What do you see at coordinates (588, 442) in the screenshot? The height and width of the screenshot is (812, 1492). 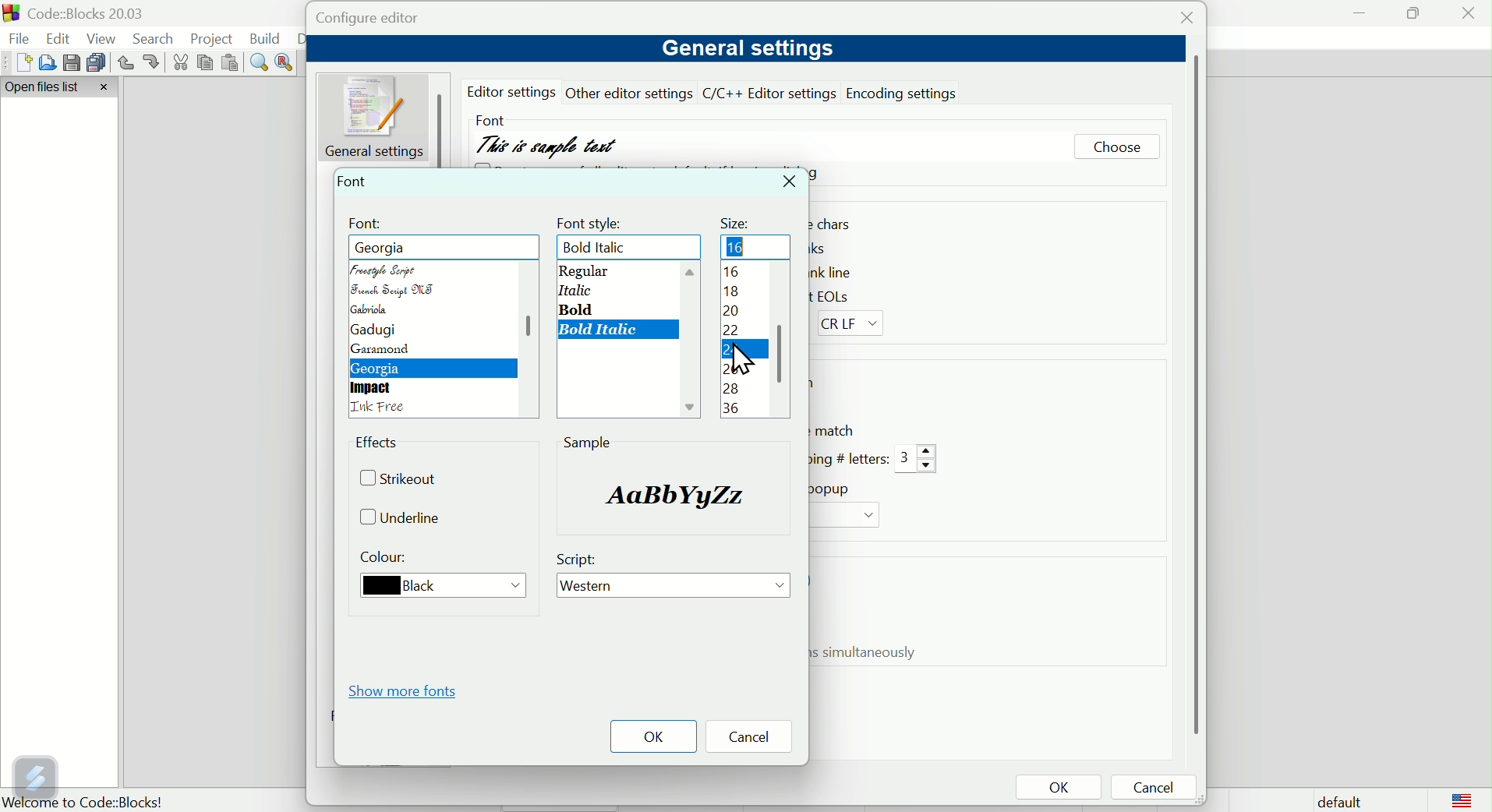 I see `sample` at bounding box center [588, 442].